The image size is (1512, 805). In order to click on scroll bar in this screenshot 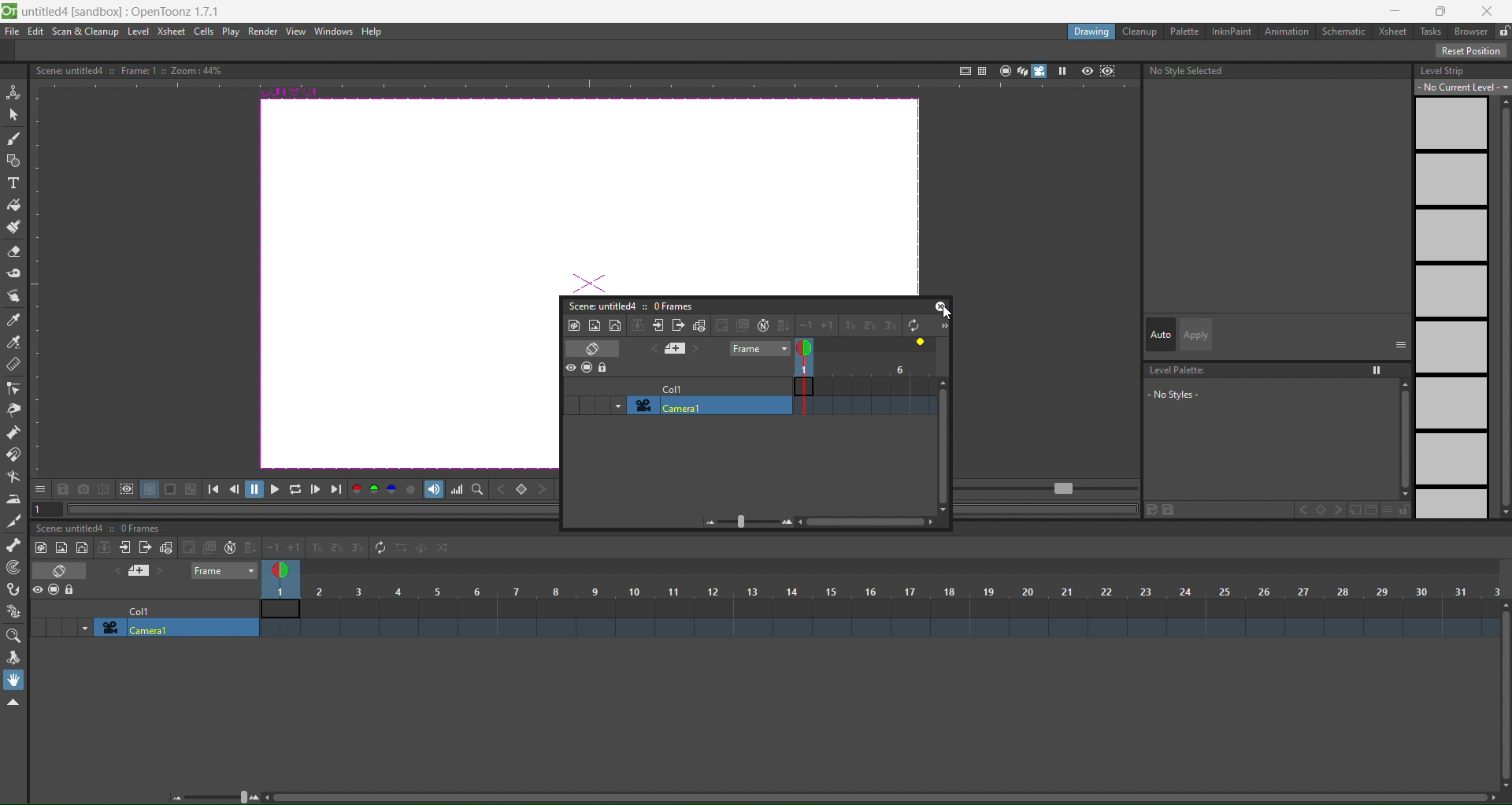, I will do `click(876, 799)`.